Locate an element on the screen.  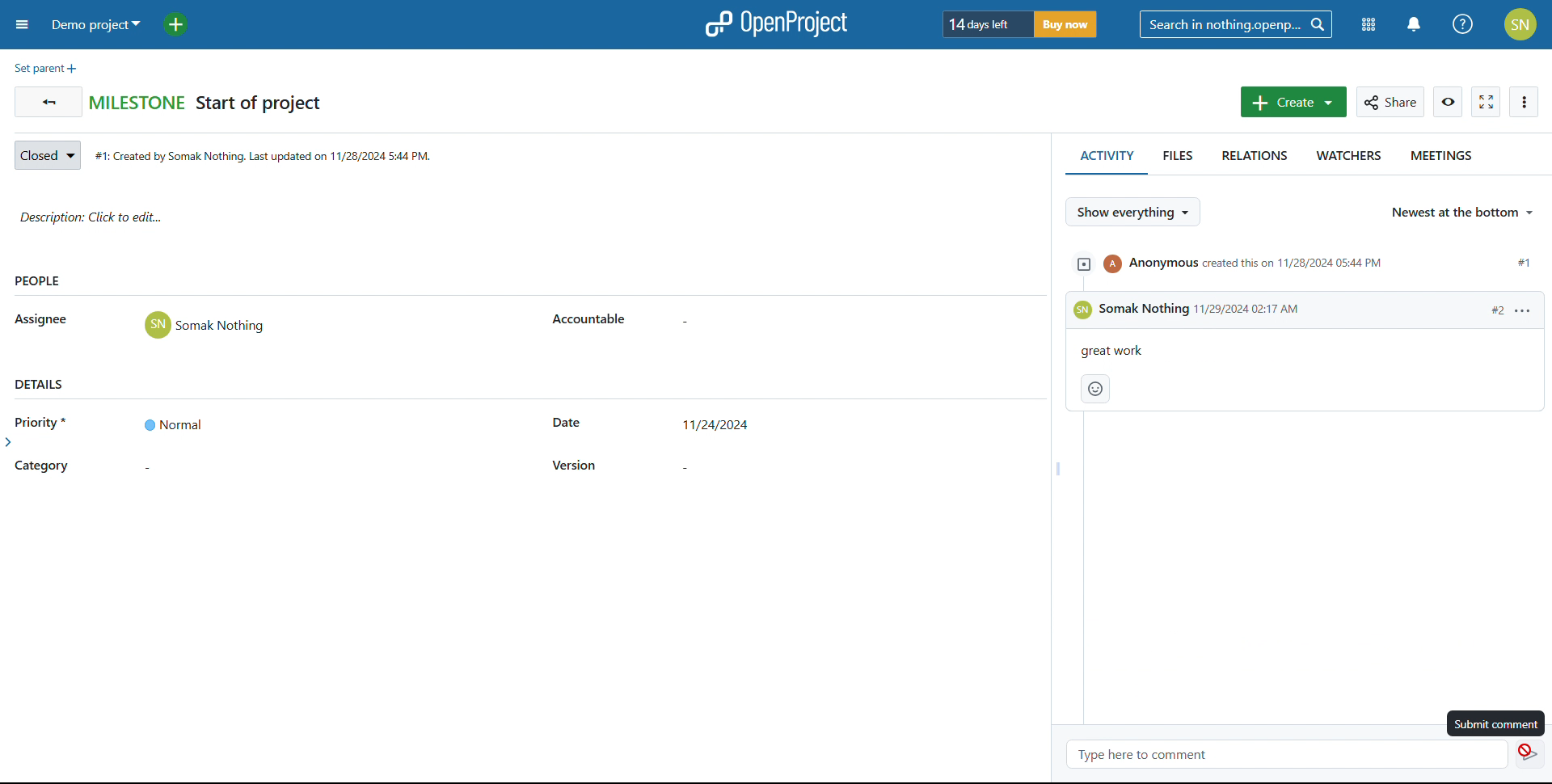
Somak Nothing is located at coordinates (1129, 311).